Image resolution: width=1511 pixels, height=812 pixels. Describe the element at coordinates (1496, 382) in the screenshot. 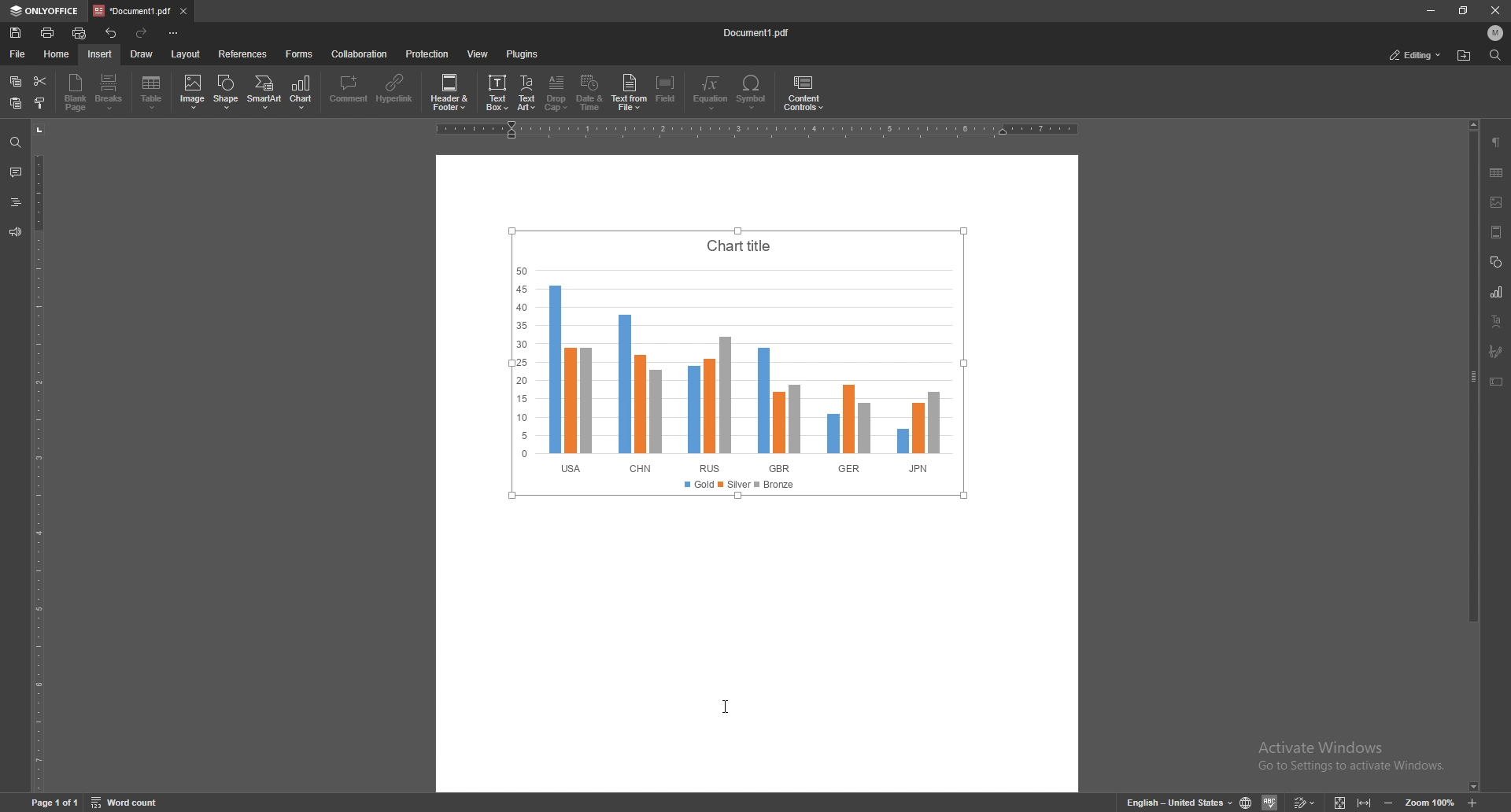

I see `text box` at that location.